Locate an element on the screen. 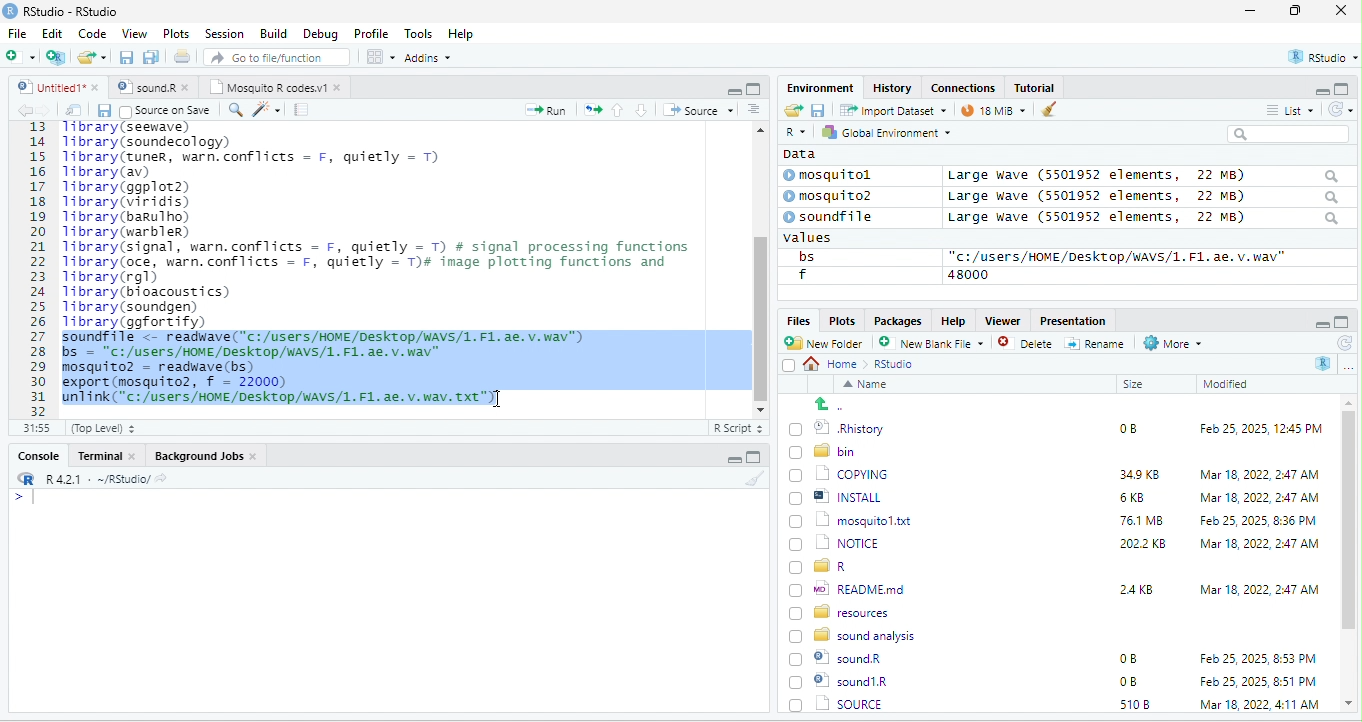  1 mosquitol.txt is located at coordinates (844, 519).